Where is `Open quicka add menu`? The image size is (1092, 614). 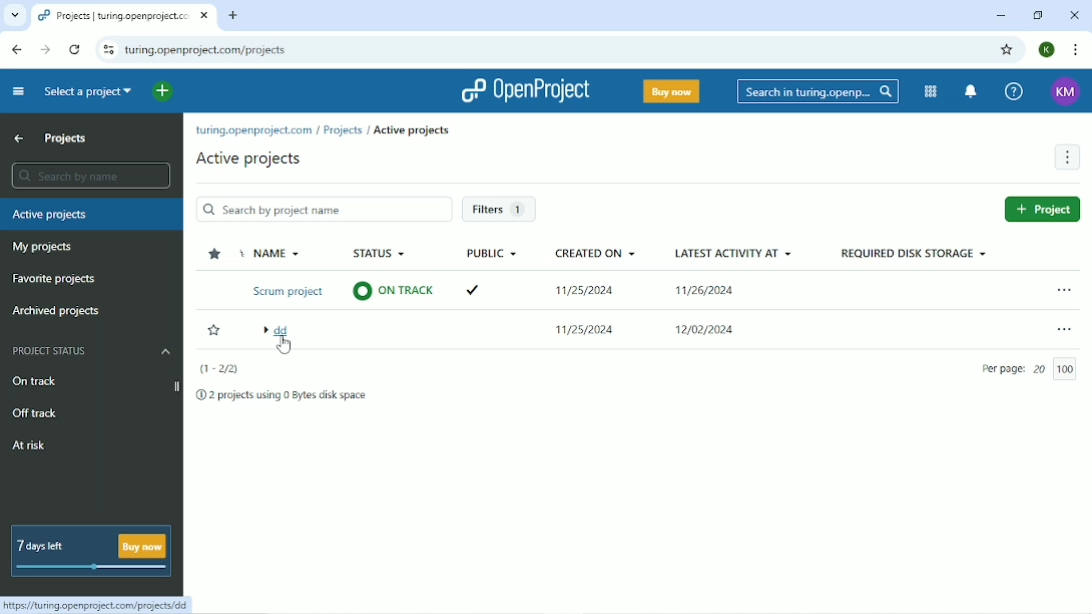
Open quicka add menu is located at coordinates (160, 93).